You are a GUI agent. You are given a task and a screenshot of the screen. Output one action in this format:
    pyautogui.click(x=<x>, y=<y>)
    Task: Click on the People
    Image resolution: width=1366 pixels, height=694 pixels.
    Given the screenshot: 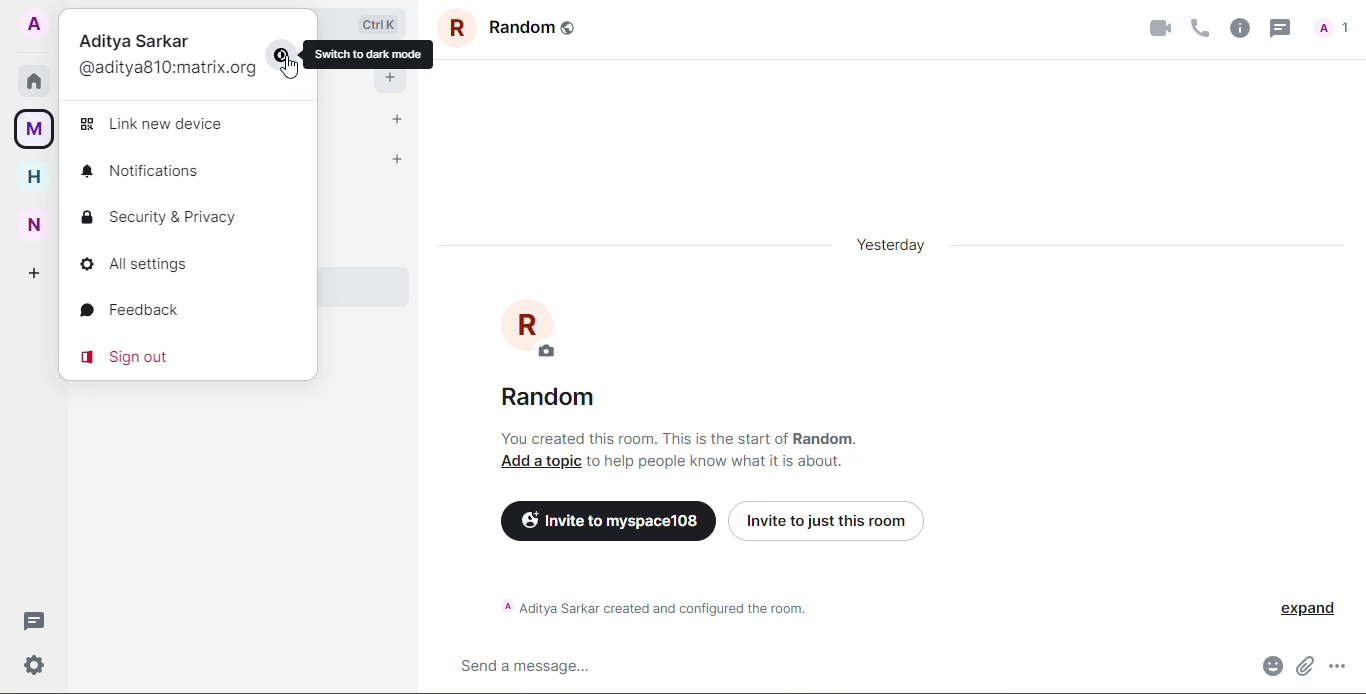 What is the action you would take?
    pyautogui.click(x=1332, y=28)
    